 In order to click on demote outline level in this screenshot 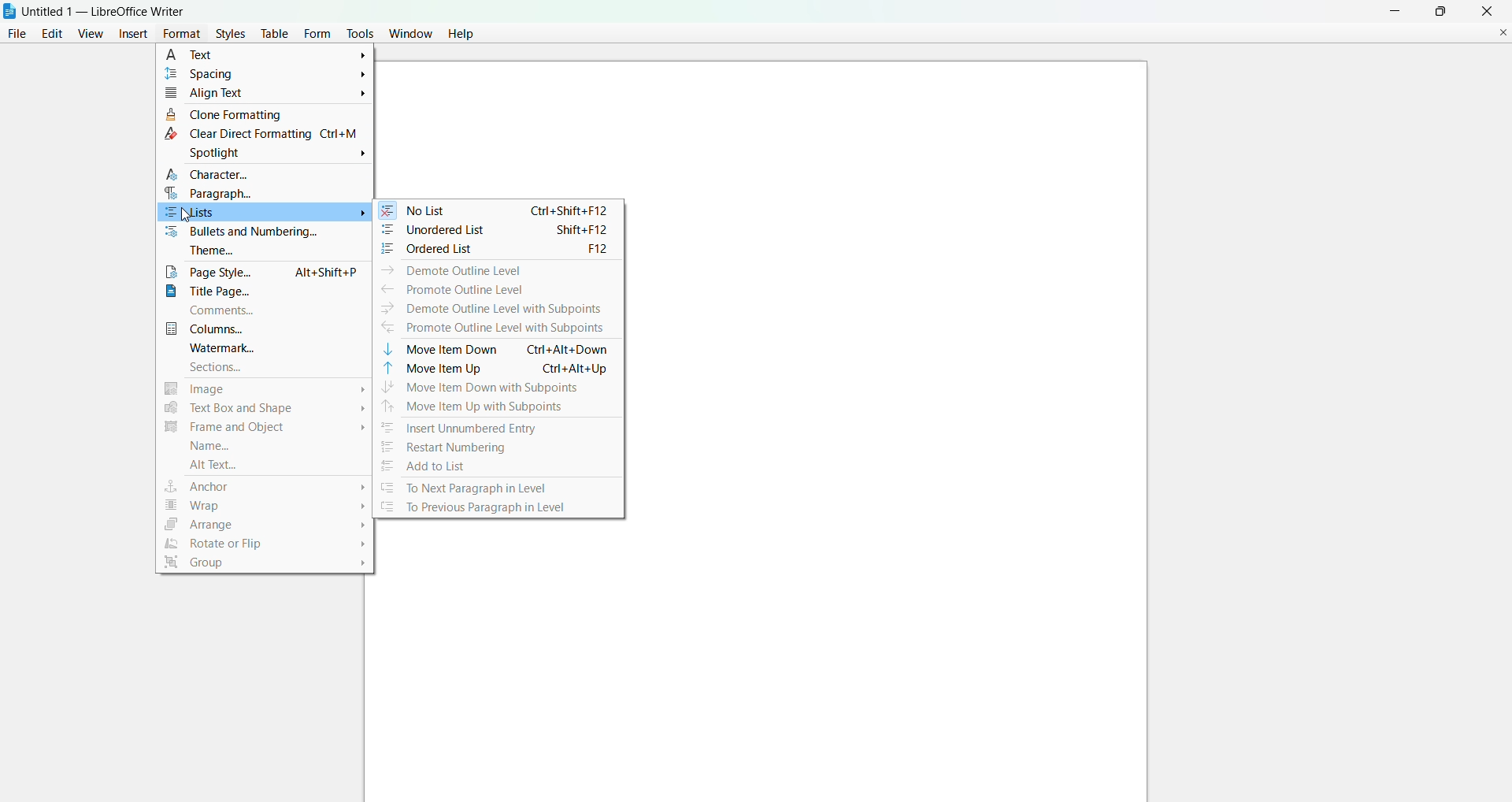, I will do `click(458, 270)`.